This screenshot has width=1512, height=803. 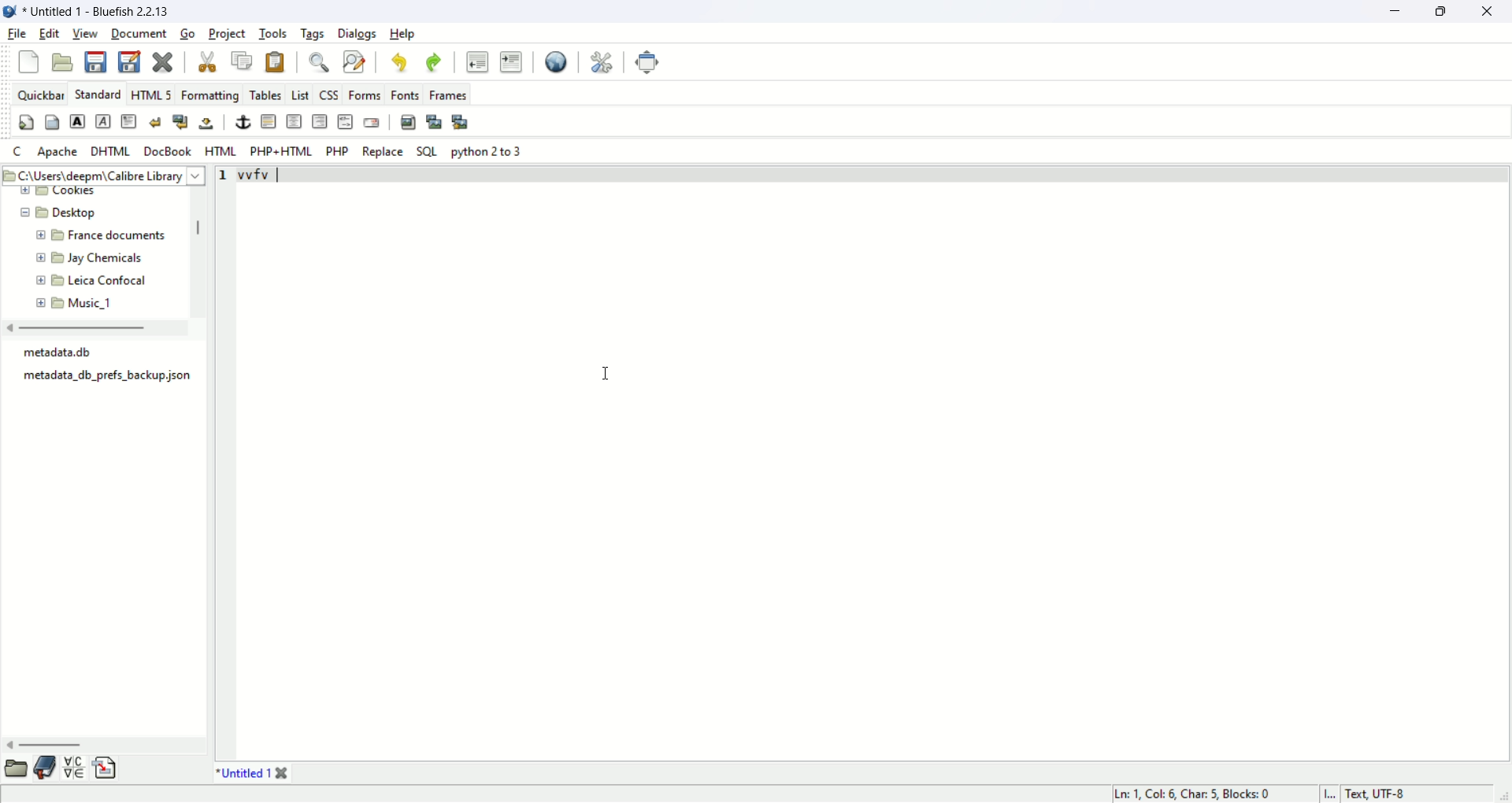 What do you see at coordinates (61, 191) in the screenshot?
I see `new folder` at bounding box center [61, 191].